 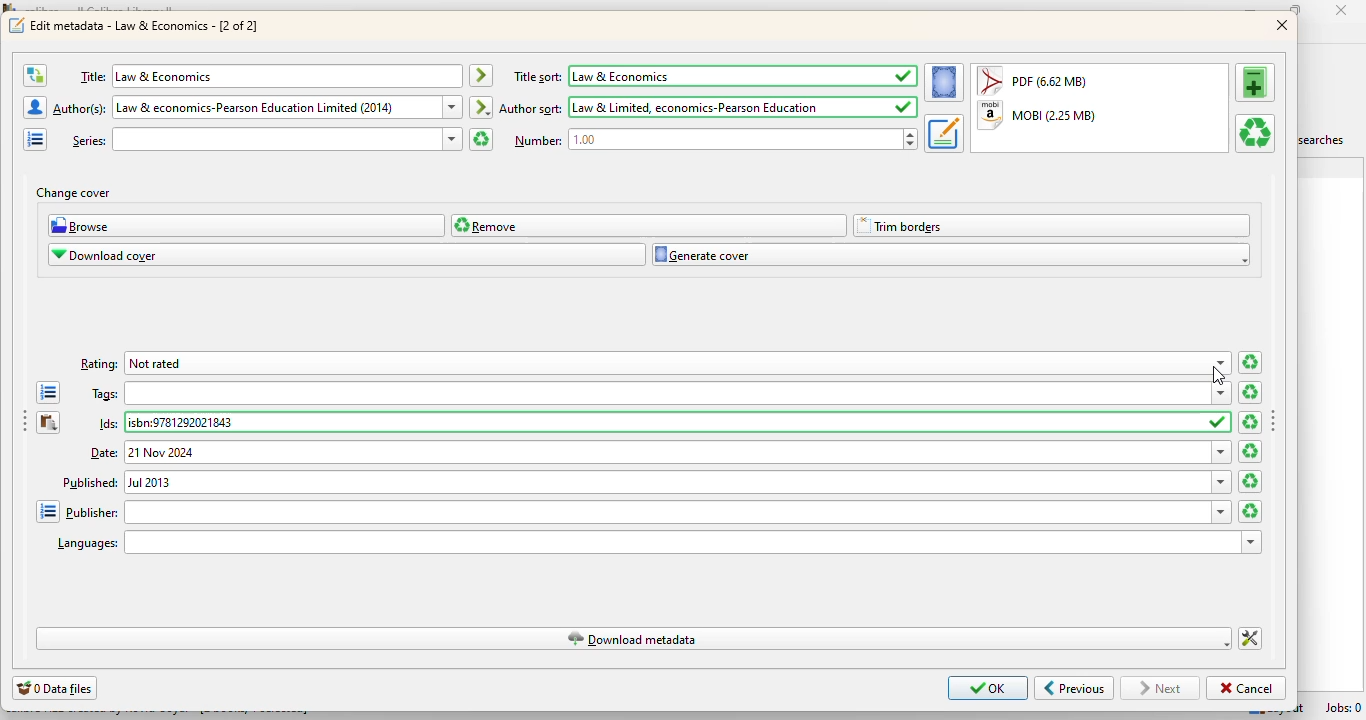 I want to click on clear date, so click(x=1251, y=482).